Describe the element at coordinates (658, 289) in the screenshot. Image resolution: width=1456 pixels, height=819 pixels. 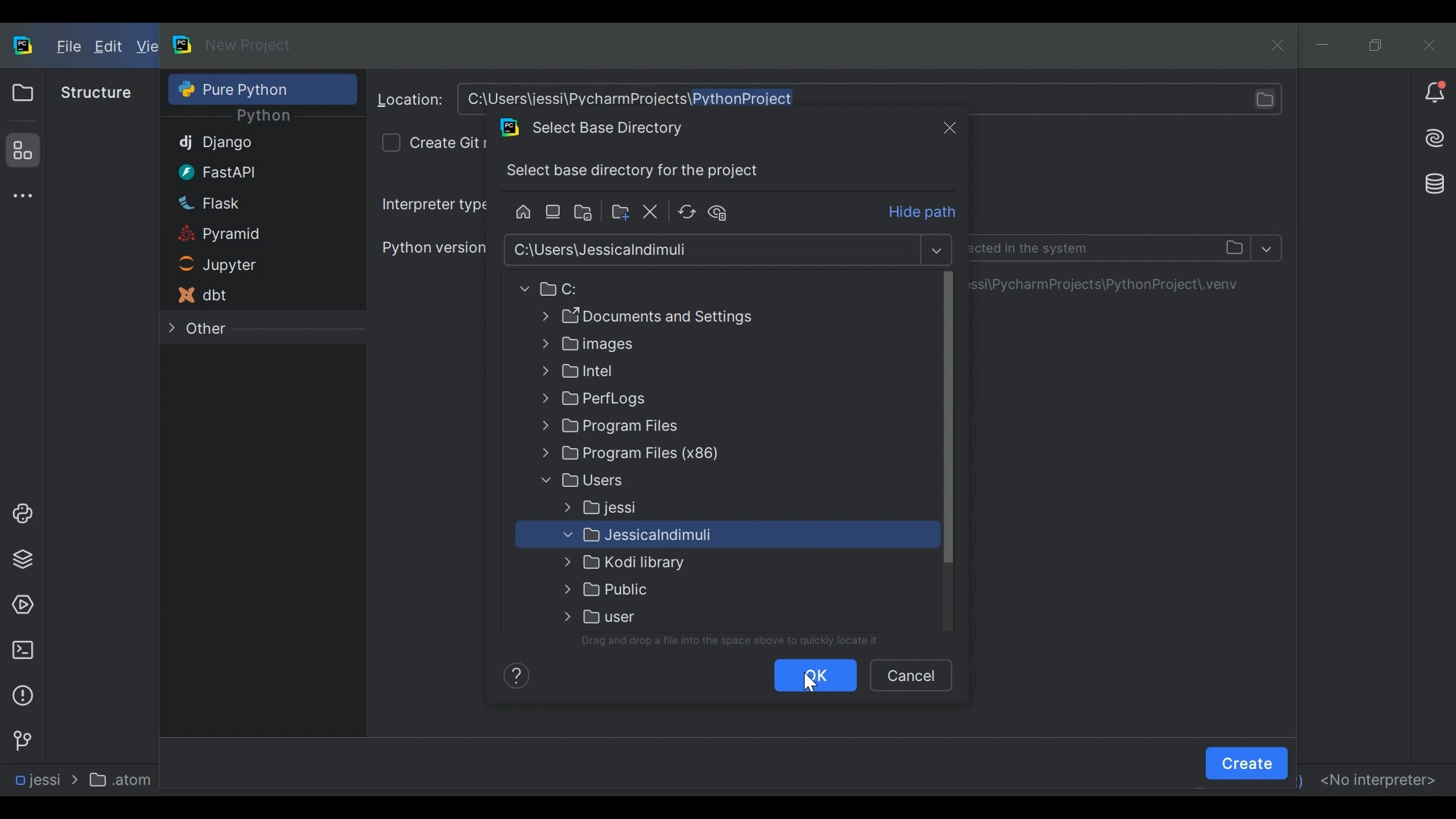
I see `Folder Path` at that location.